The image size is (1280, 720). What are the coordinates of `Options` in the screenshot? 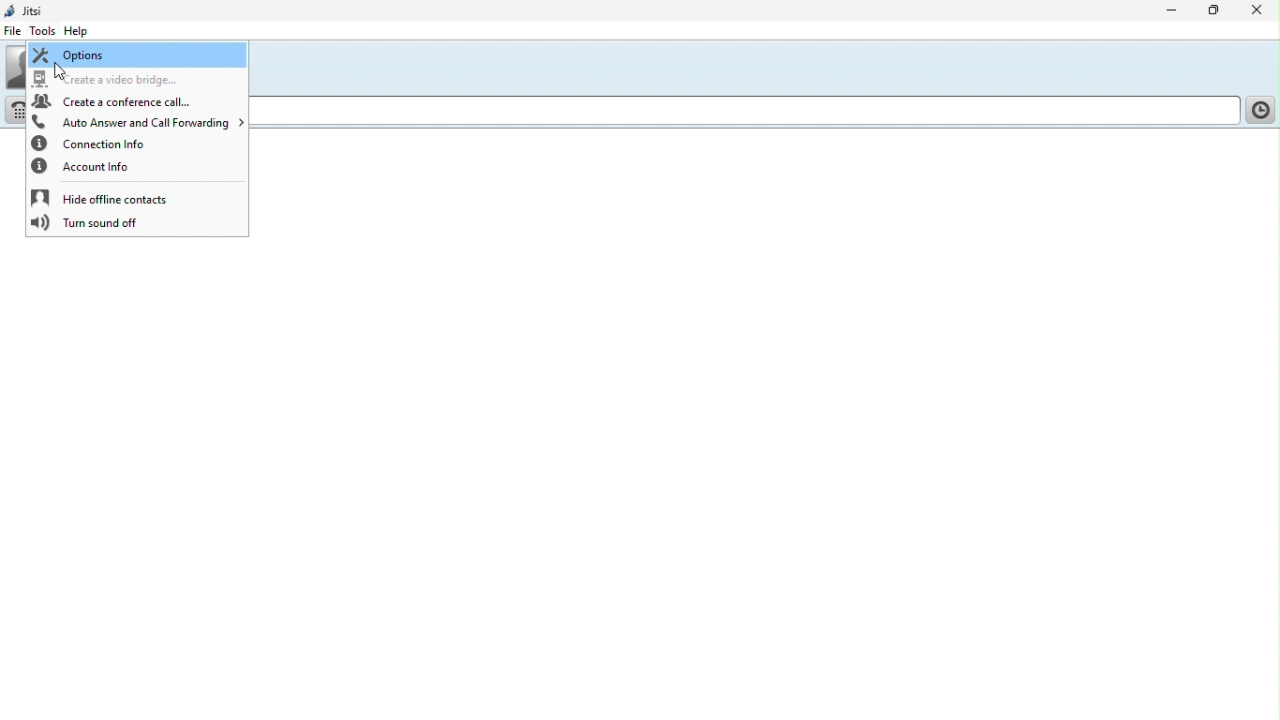 It's located at (135, 55).